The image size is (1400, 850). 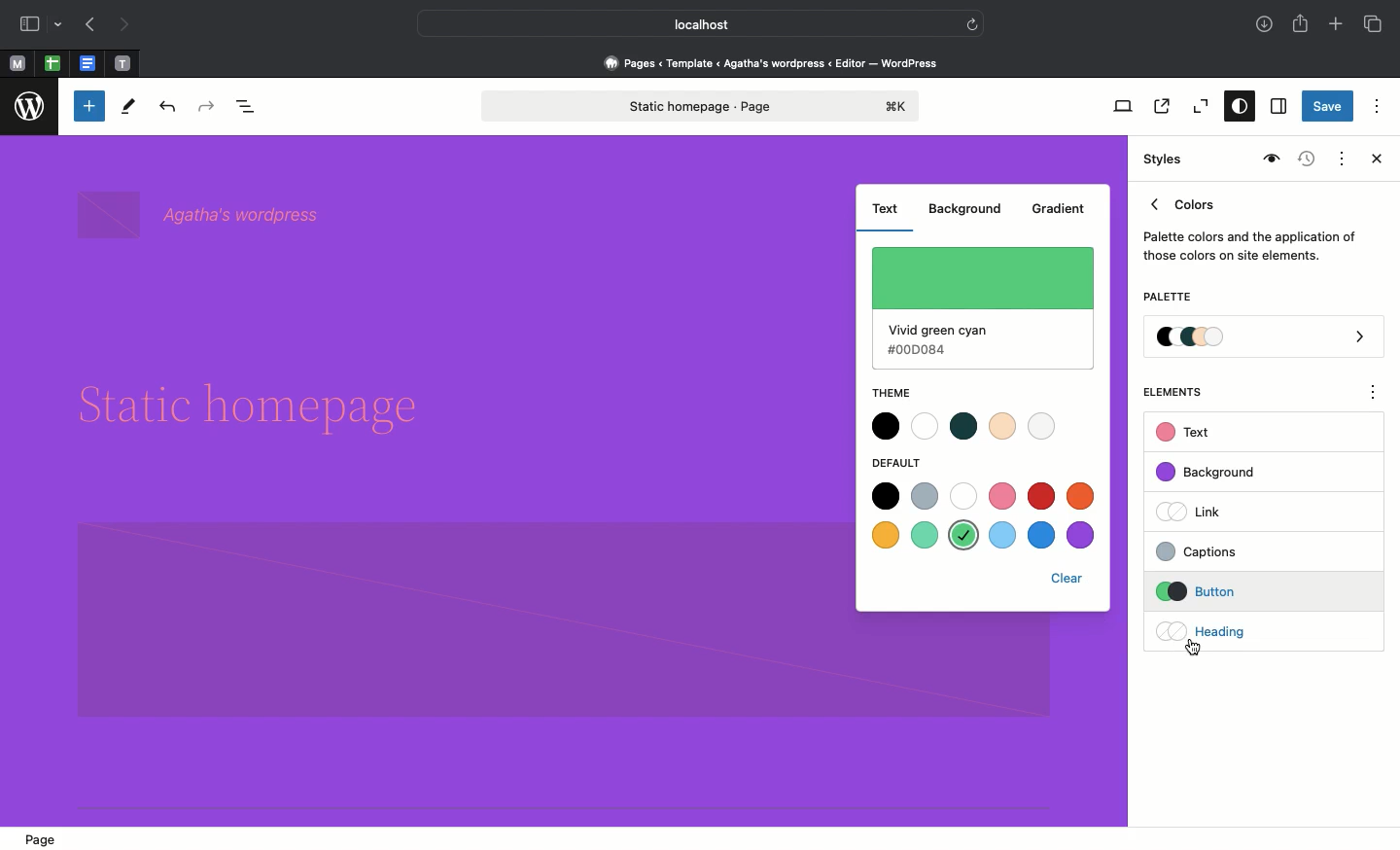 I want to click on Add new tab, so click(x=1338, y=26).